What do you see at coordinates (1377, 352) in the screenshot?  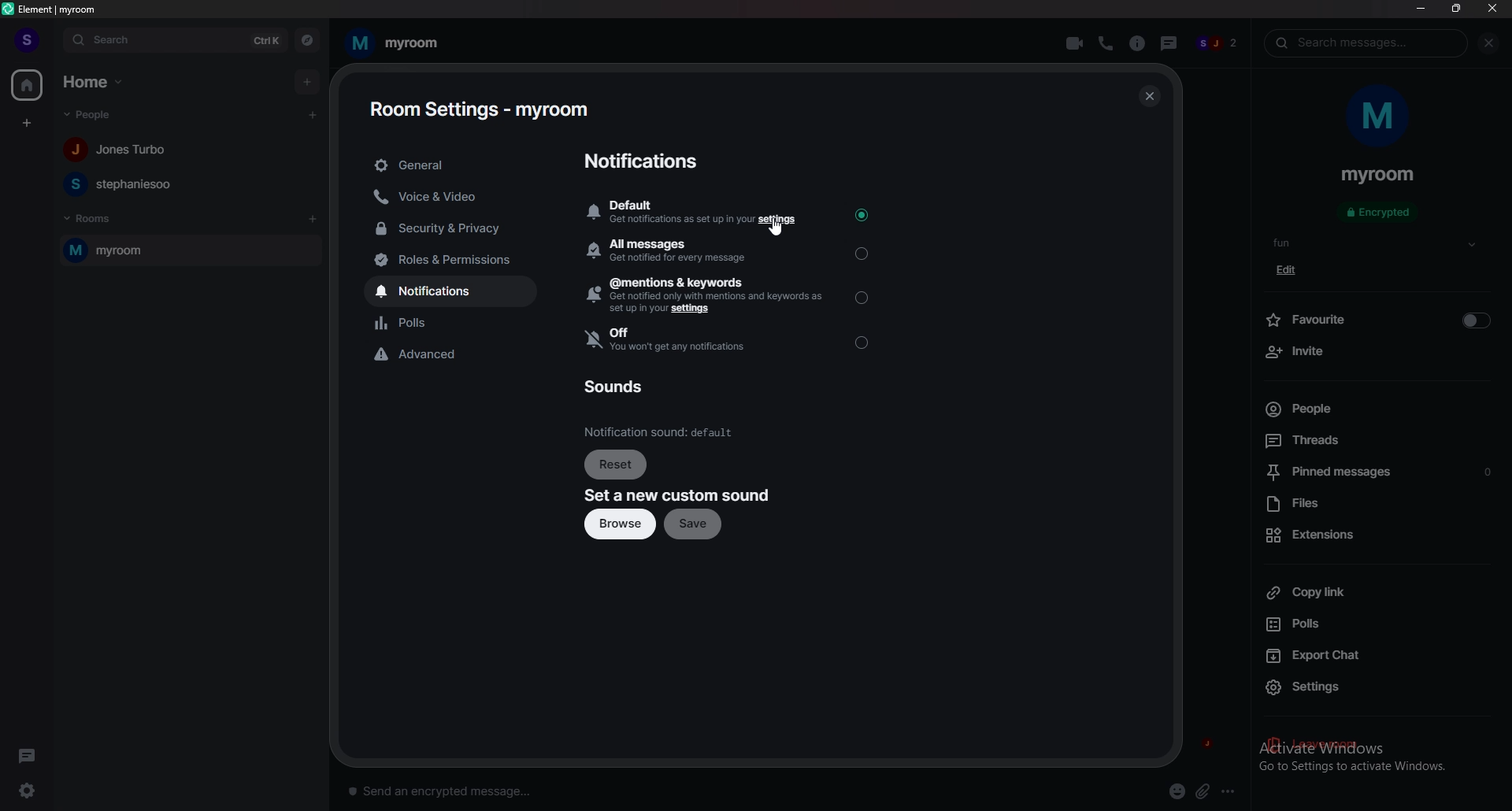 I see `invite` at bounding box center [1377, 352].